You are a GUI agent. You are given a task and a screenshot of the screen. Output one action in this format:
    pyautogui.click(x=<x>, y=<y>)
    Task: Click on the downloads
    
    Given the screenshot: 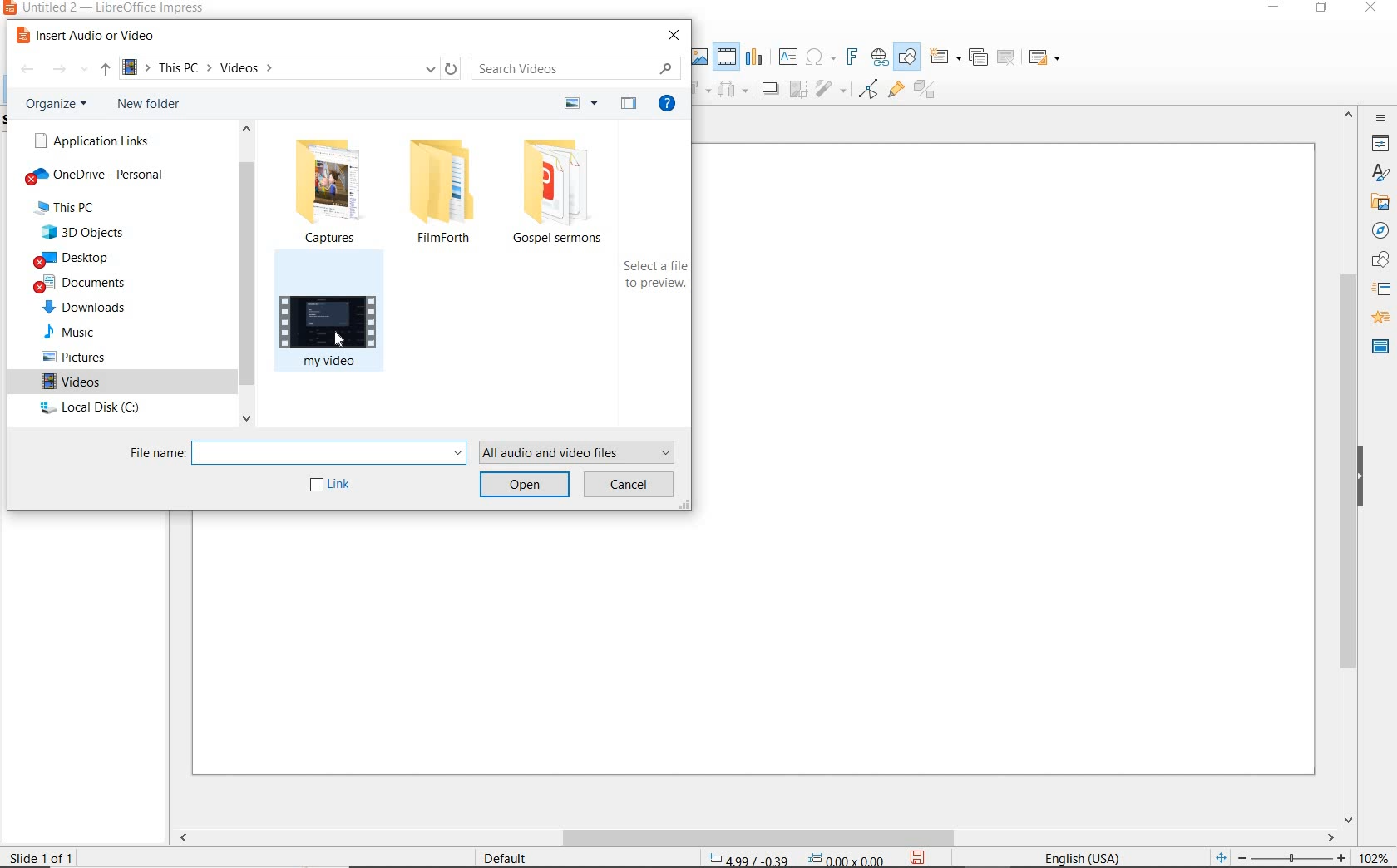 What is the action you would take?
    pyautogui.click(x=88, y=308)
    